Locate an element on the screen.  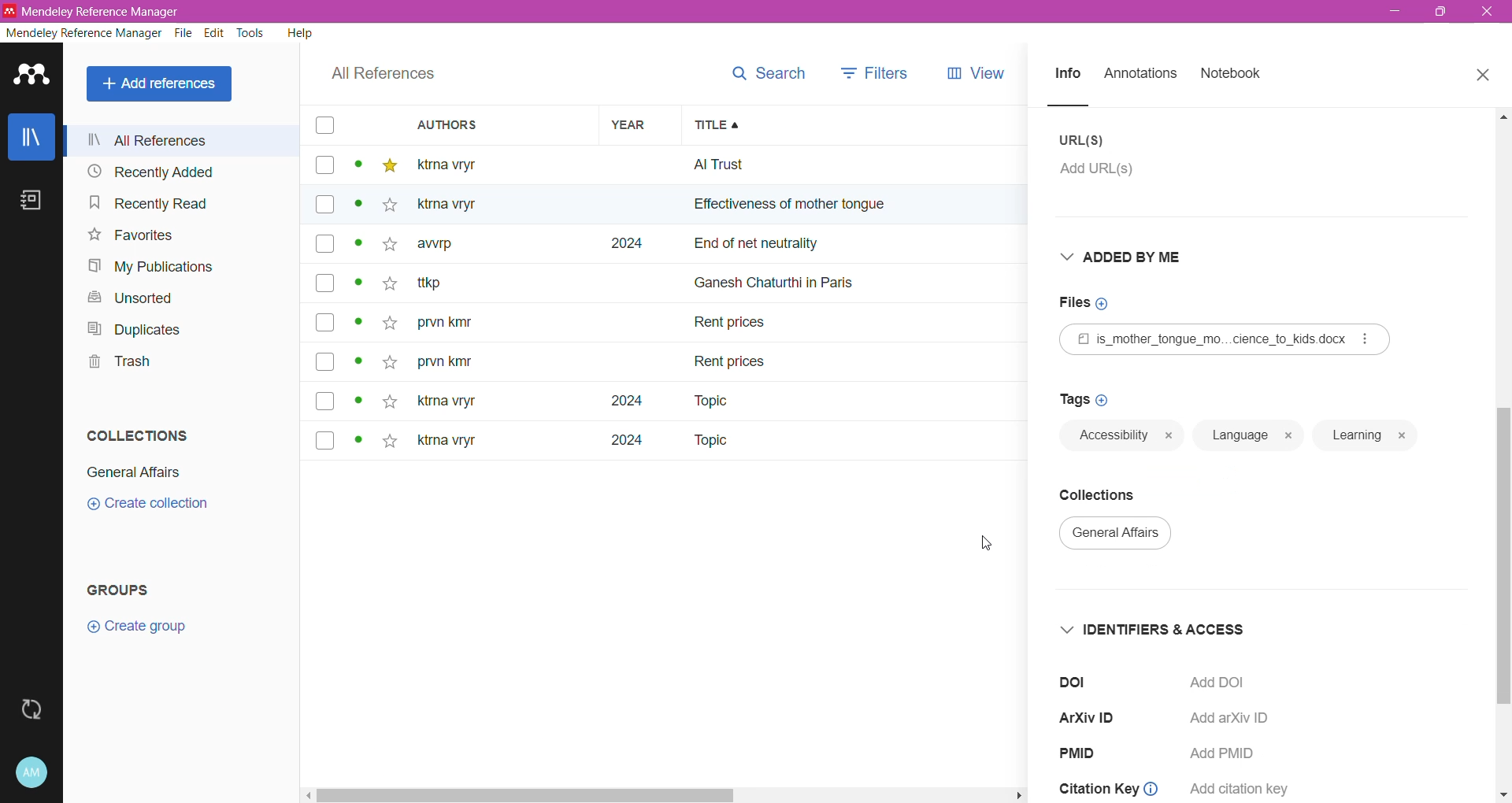
Cursor is located at coordinates (984, 543).